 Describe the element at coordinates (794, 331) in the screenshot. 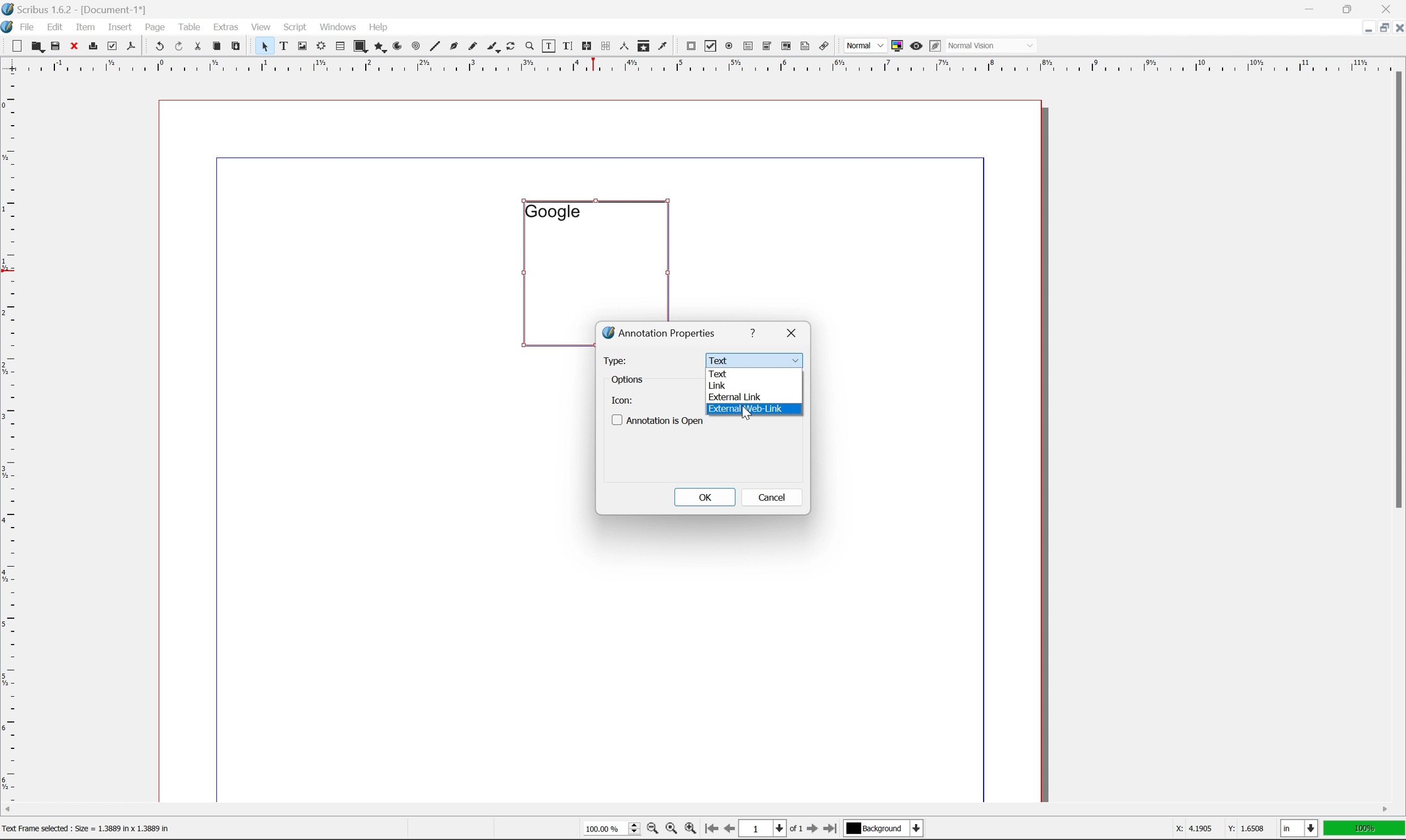

I see `close` at that location.